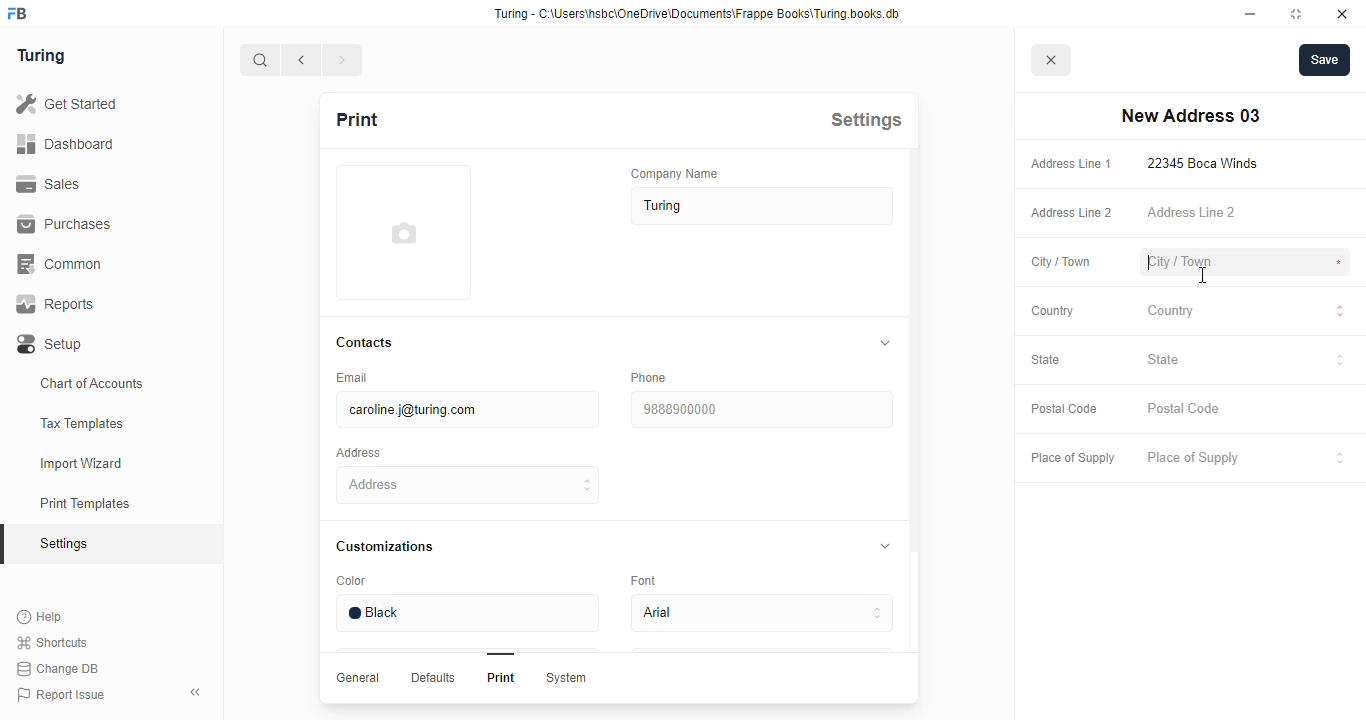 Image resolution: width=1366 pixels, height=720 pixels. Describe the element at coordinates (1246, 313) in the screenshot. I see `country` at that location.